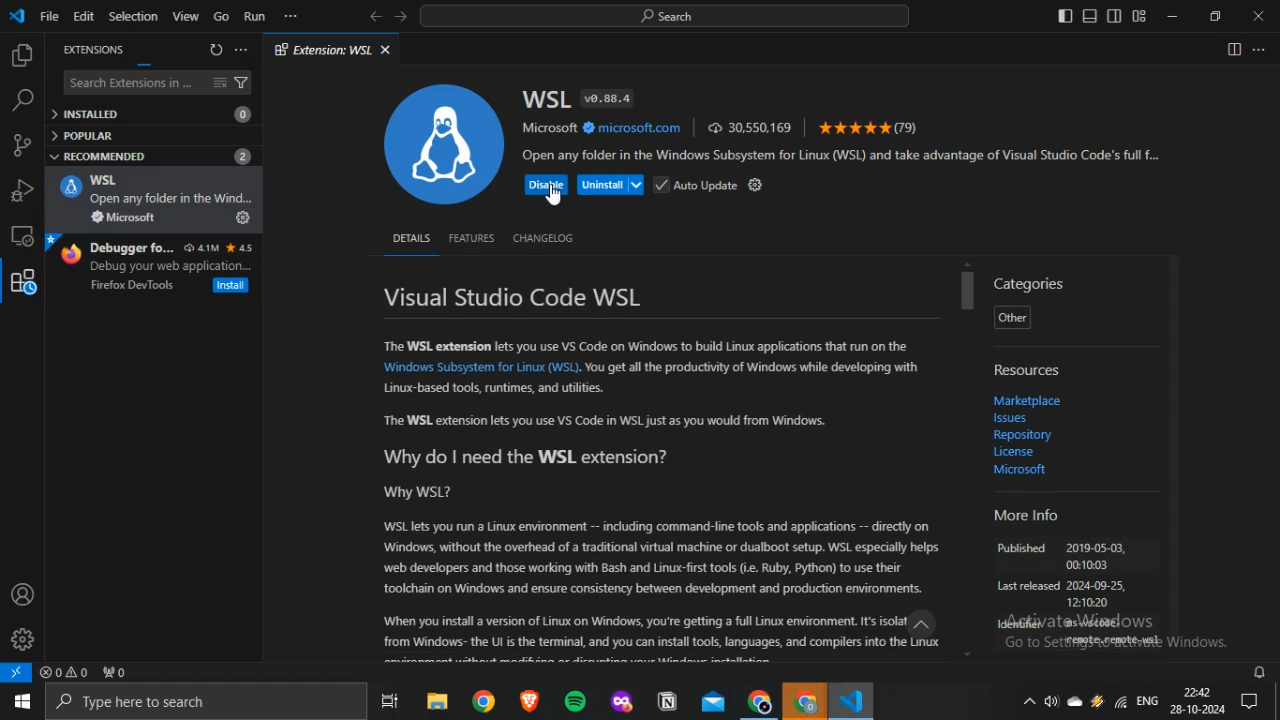 This screenshot has width=1280, height=720. I want to click on WSL, so click(104, 180).